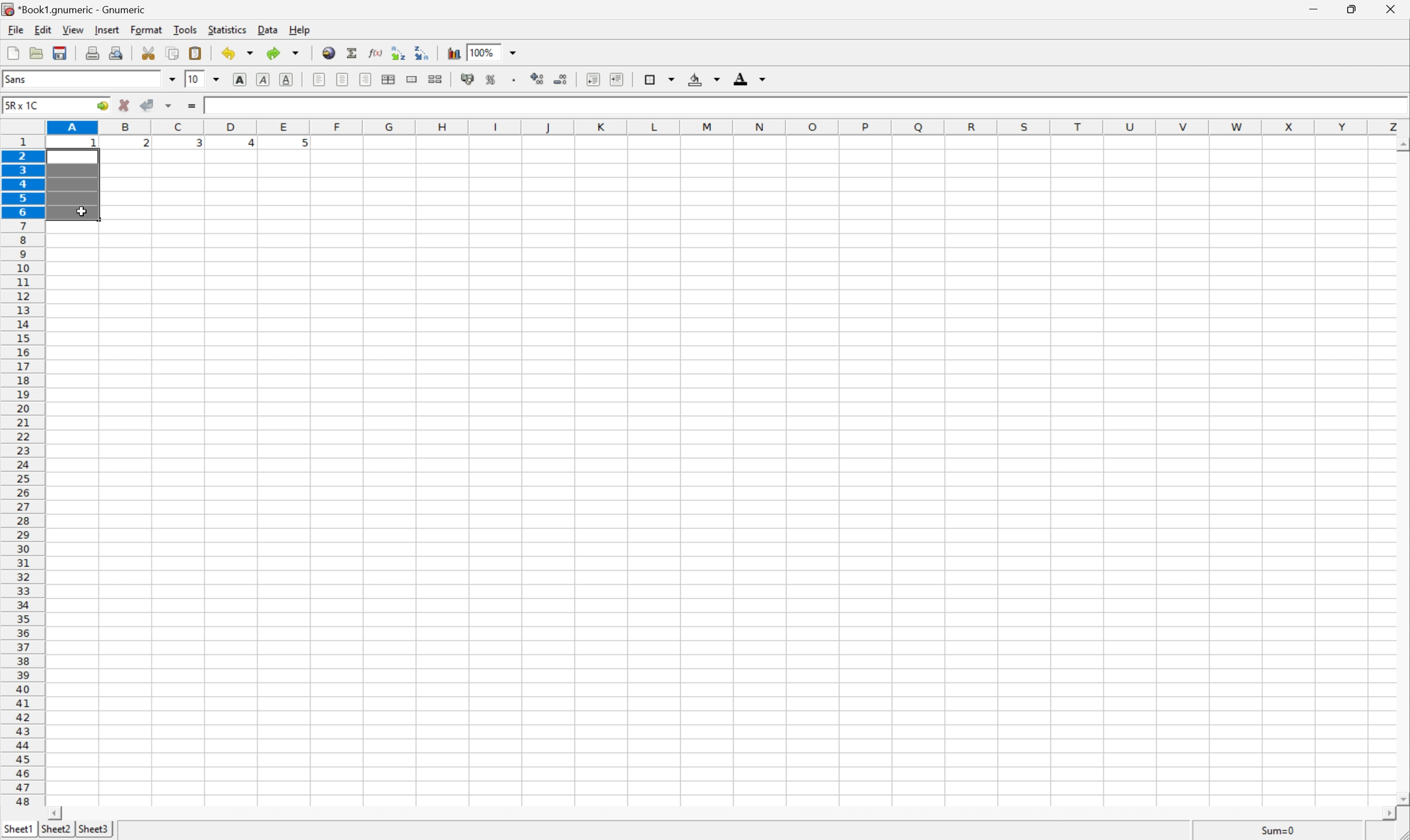 The image size is (1410, 840). What do you see at coordinates (264, 79) in the screenshot?
I see `italic` at bounding box center [264, 79].